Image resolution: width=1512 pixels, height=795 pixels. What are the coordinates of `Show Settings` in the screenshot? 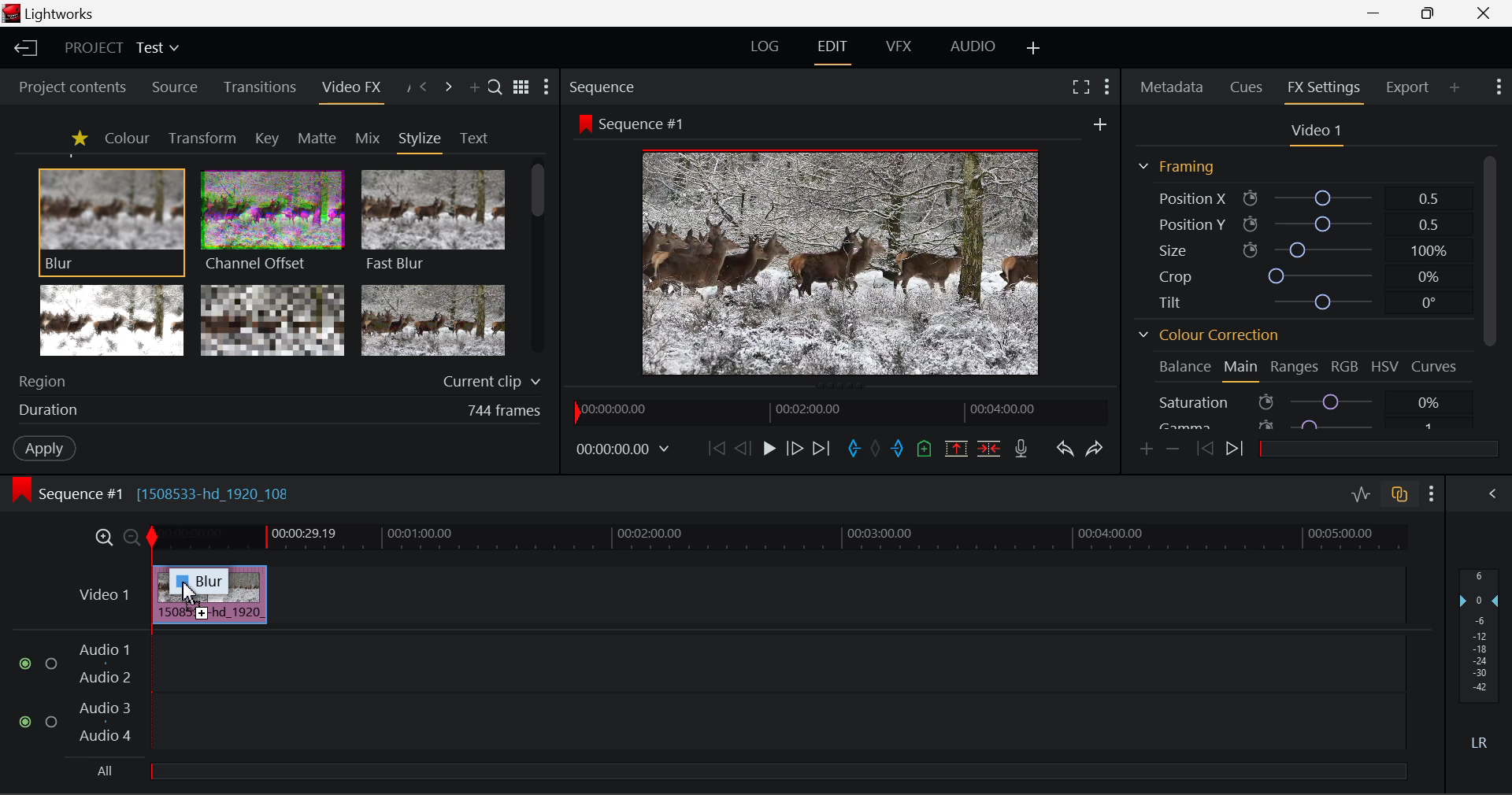 It's located at (1501, 89).